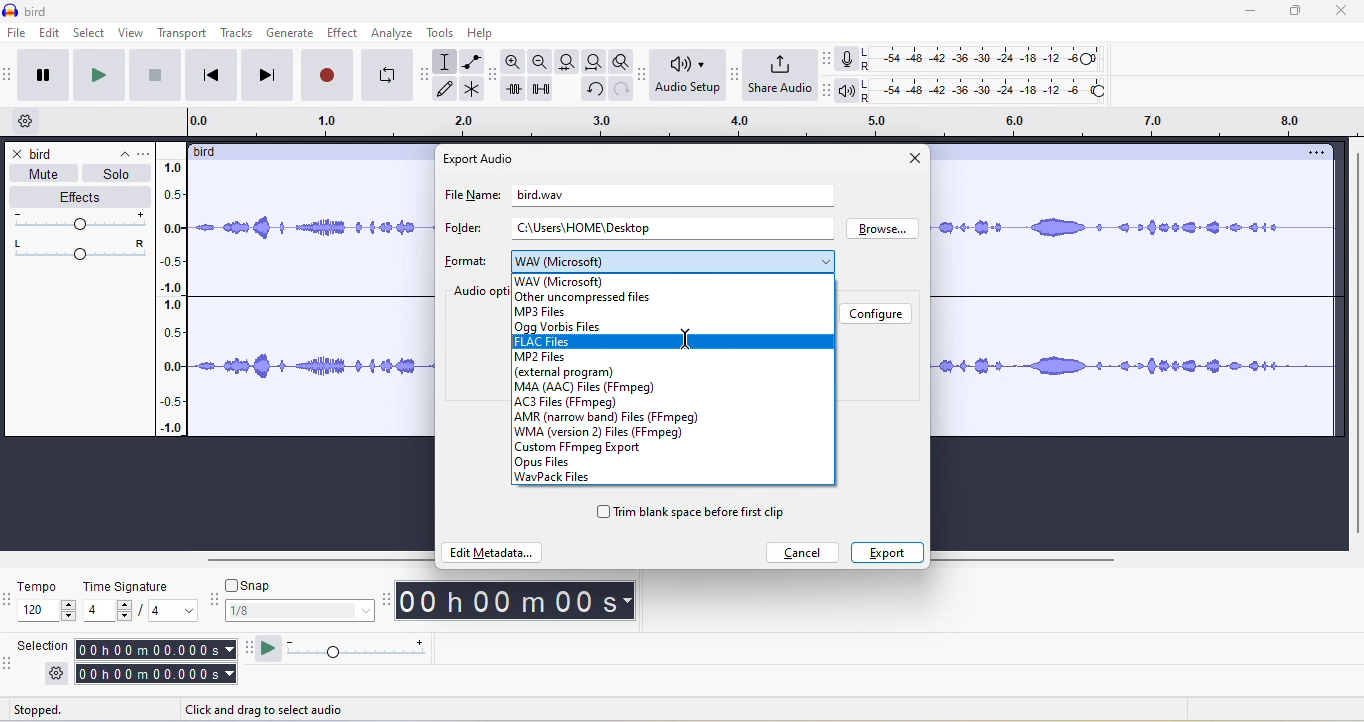 This screenshot has height=722, width=1364. What do you see at coordinates (826, 91) in the screenshot?
I see `audacity playback meter toolbar` at bounding box center [826, 91].